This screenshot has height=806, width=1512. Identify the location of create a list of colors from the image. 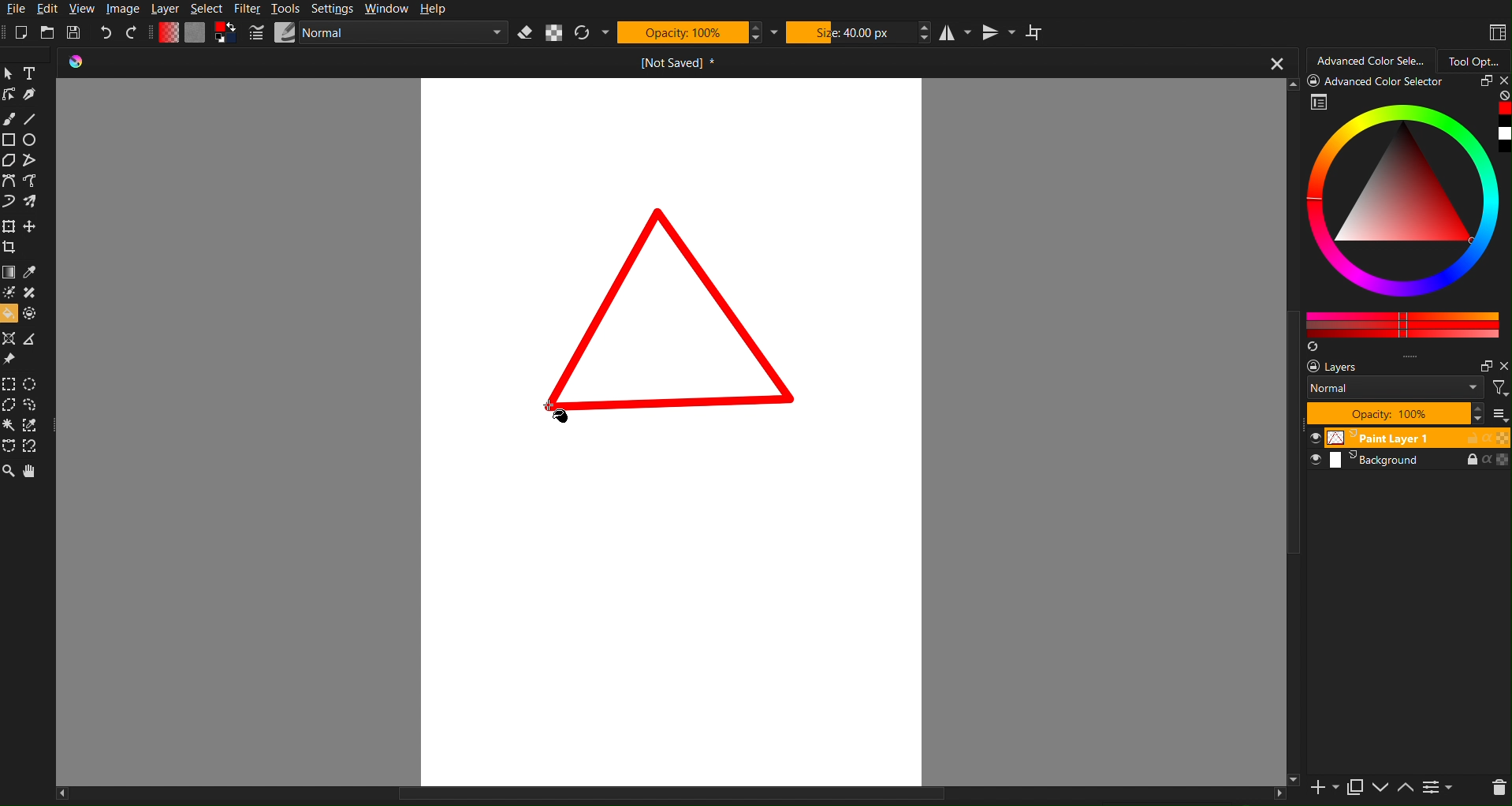
(1316, 348).